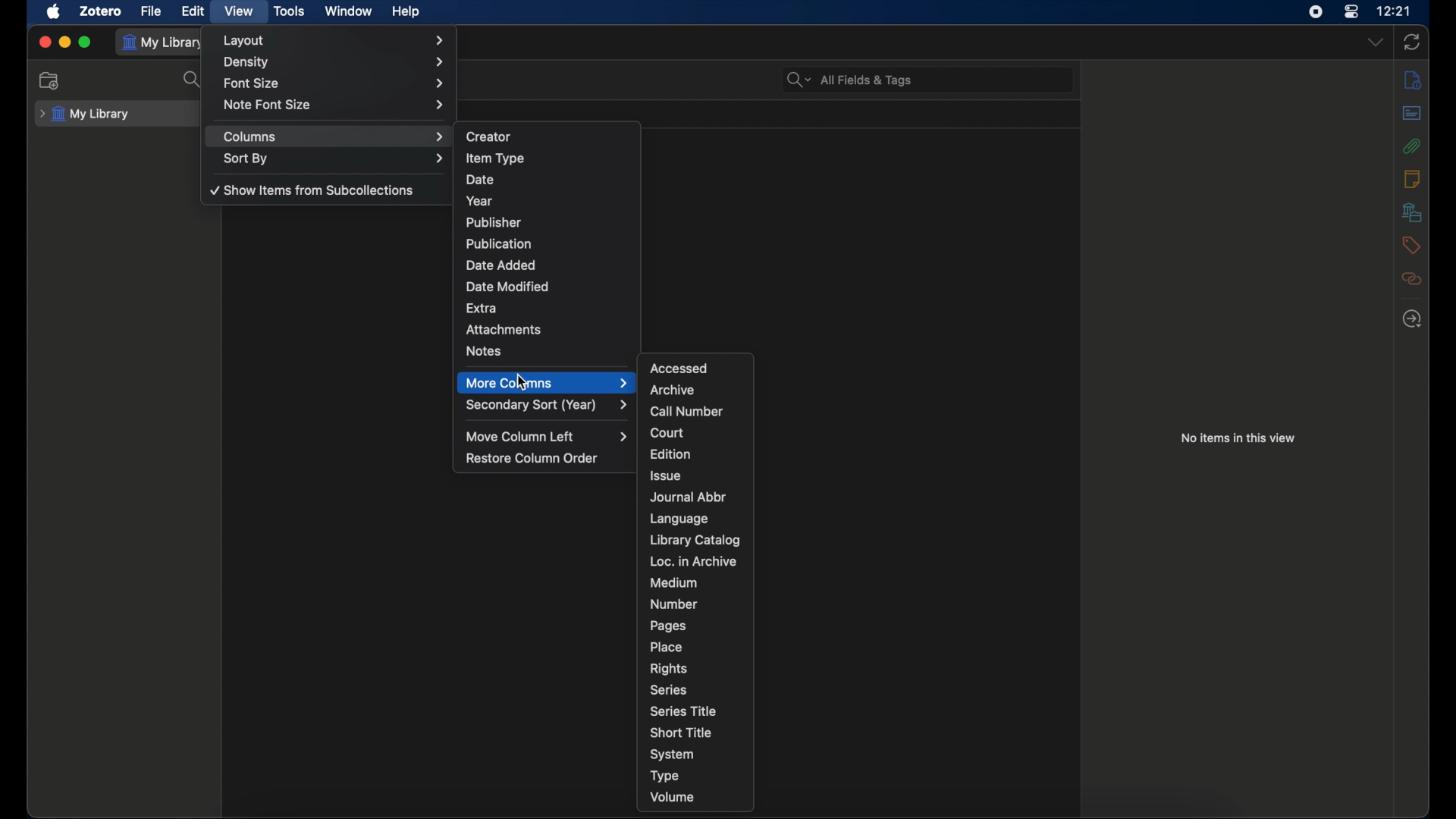  I want to click on journal abbr, so click(689, 497).